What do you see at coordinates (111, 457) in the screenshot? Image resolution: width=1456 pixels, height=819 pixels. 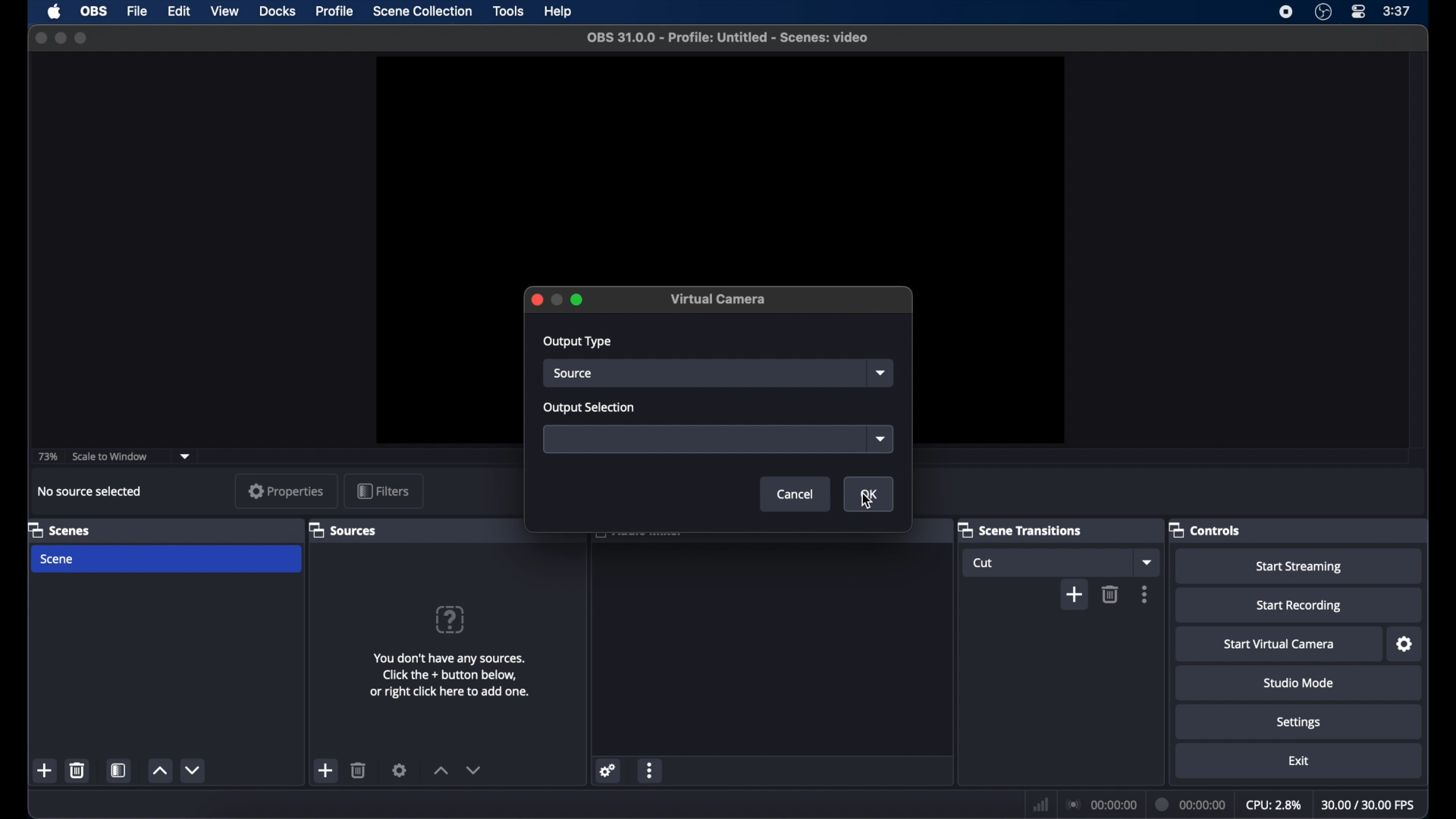 I see `scale to window` at bounding box center [111, 457].